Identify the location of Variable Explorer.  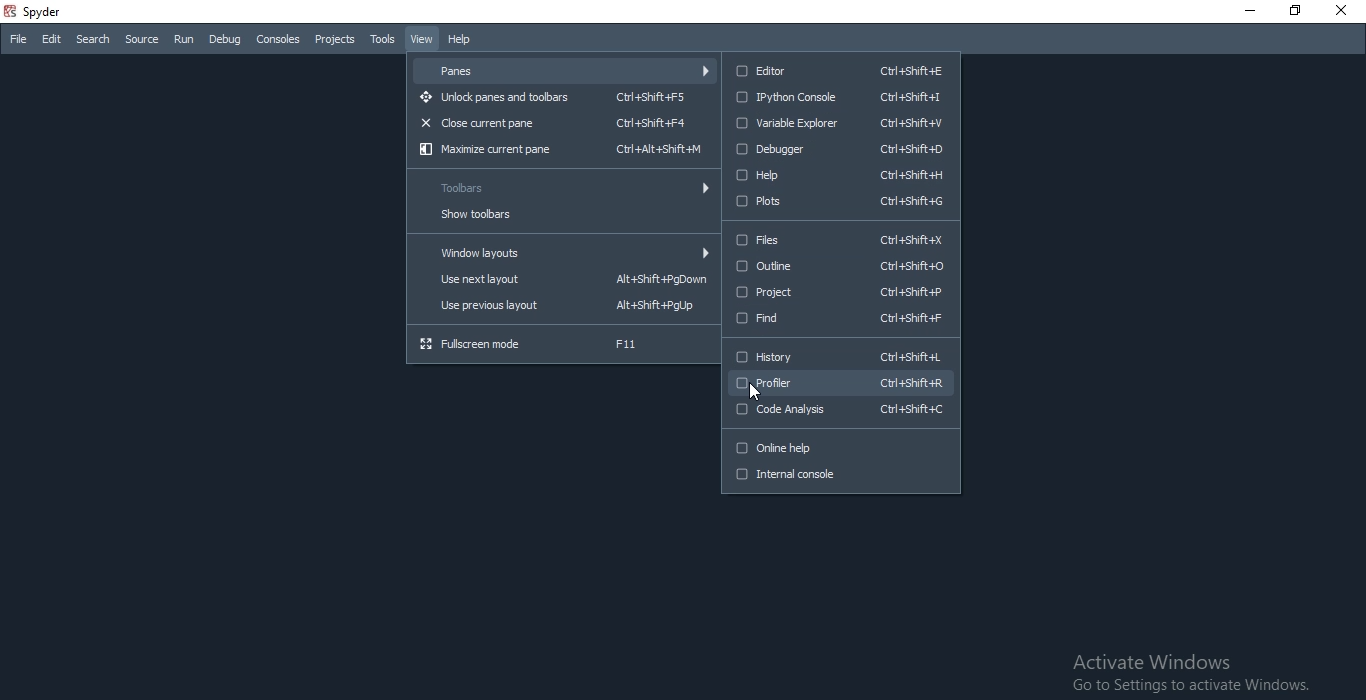
(840, 122).